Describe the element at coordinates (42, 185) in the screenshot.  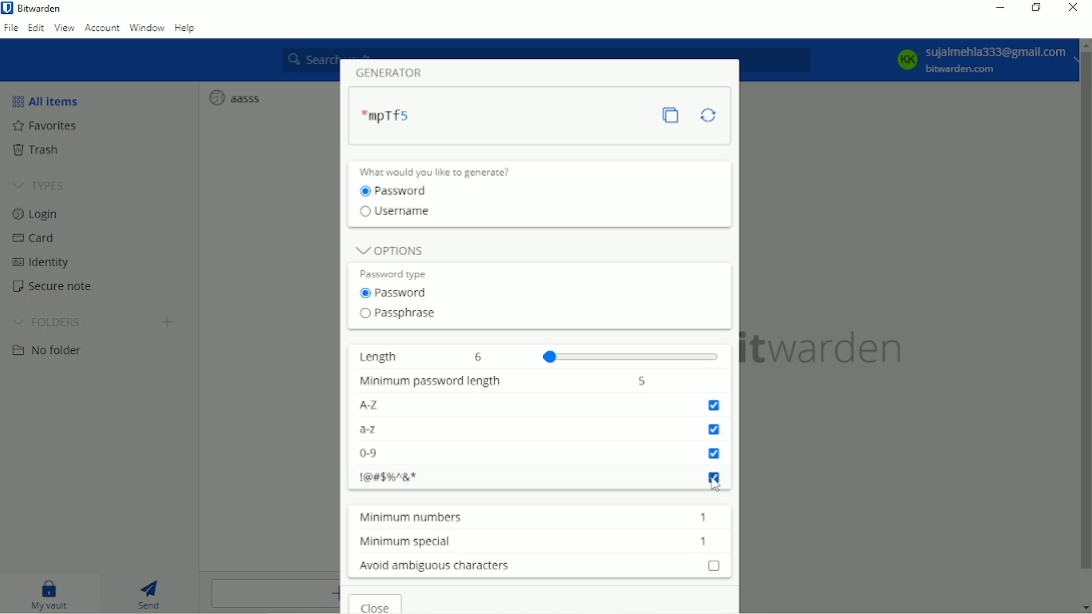
I see `Types` at that location.